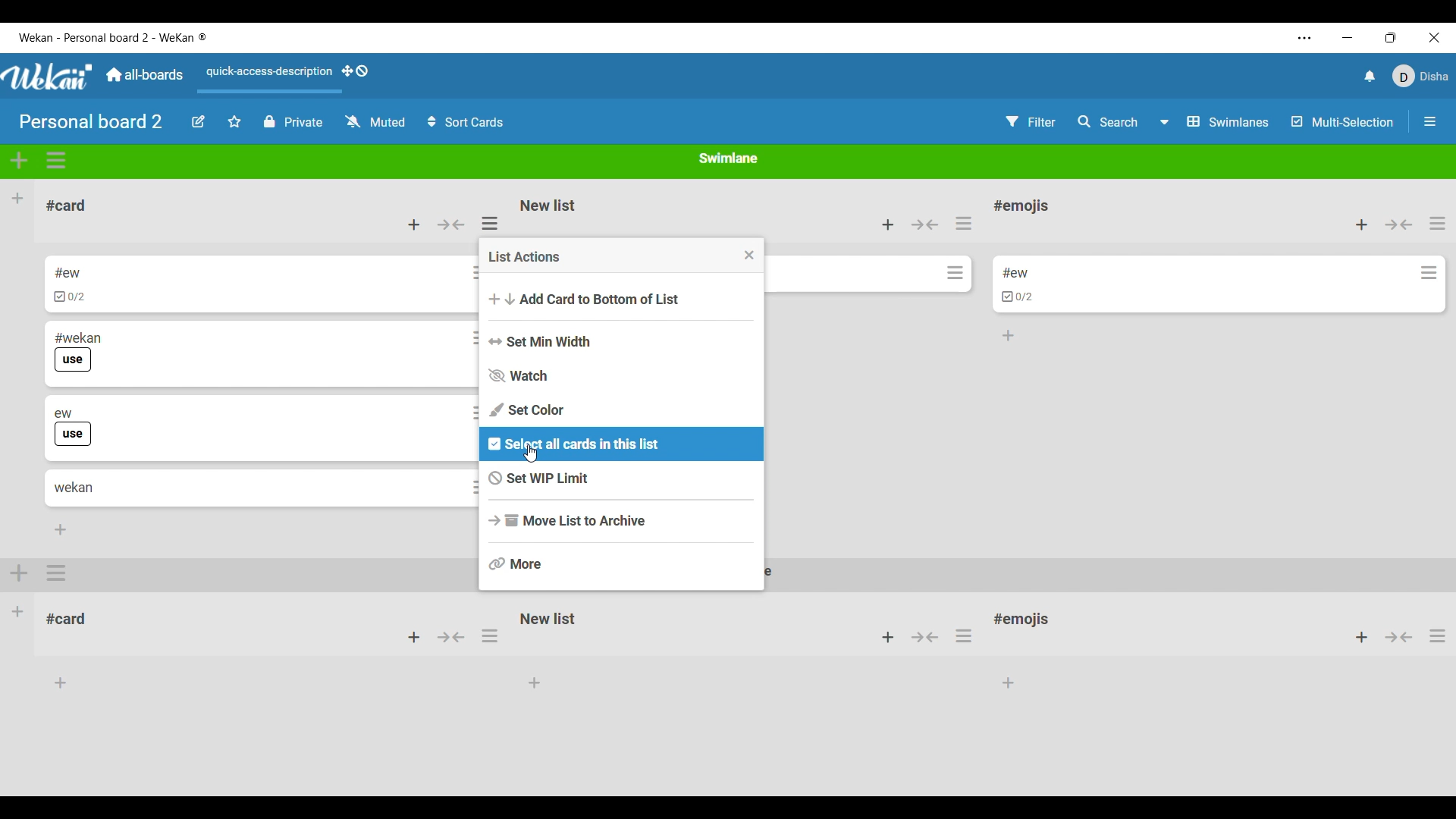  What do you see at coordinates (466, 122) in the screenshot?
I see `Sort cards` at bounding box center [466, 122].